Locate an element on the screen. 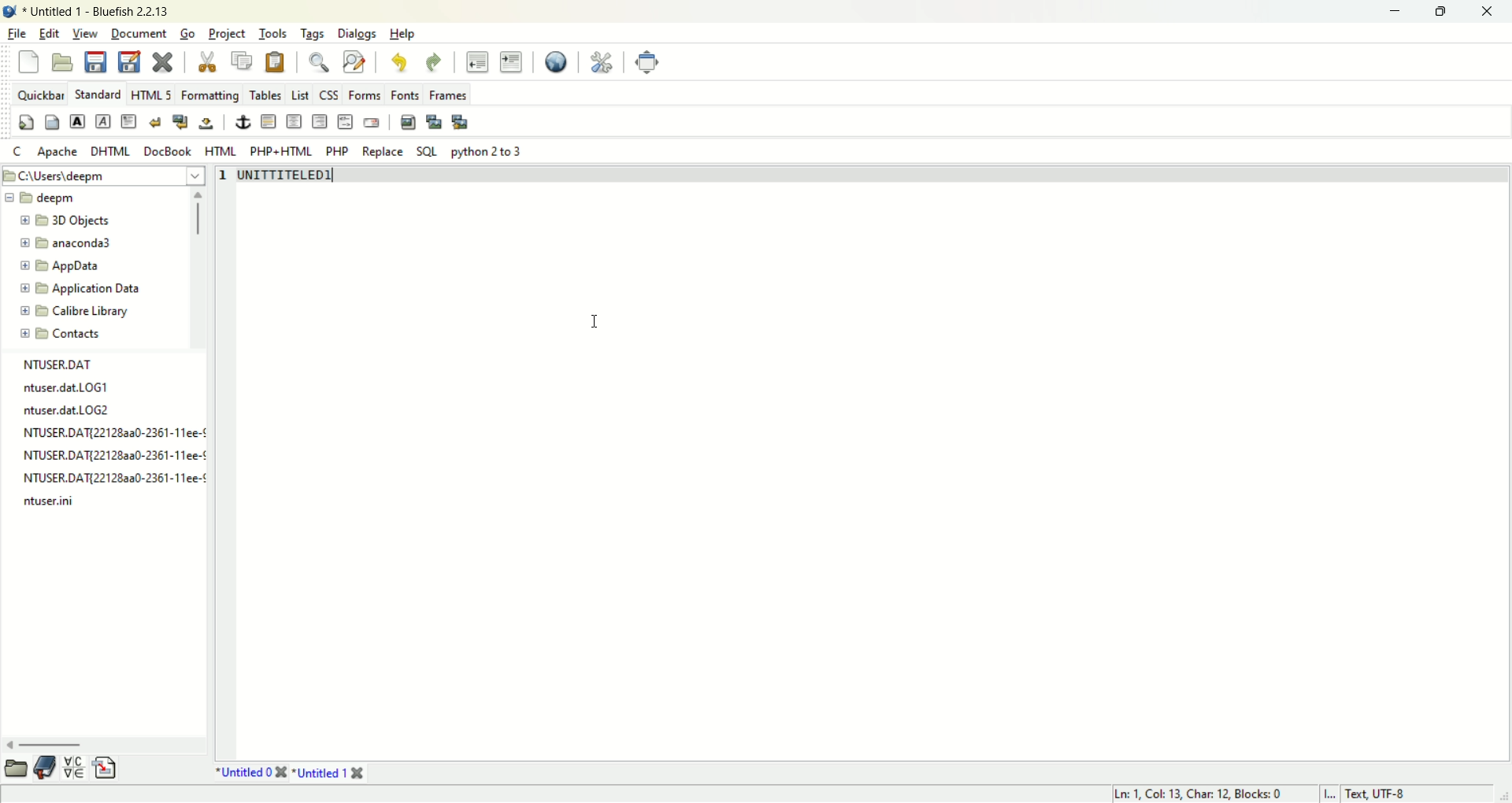 This screenshot has height=803, width=1512. break is located at coordinates (155, 123).